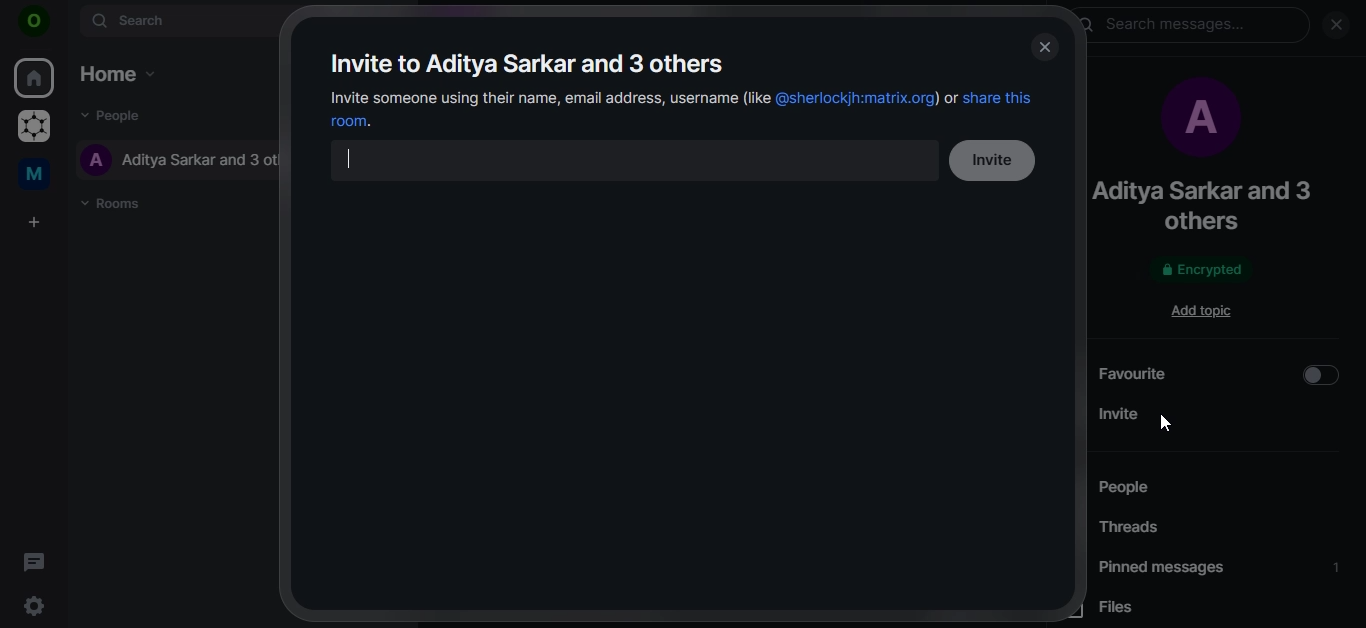  Describe the element at coordinates (1219, 412) in the screenshot. I see `invite` at that location.